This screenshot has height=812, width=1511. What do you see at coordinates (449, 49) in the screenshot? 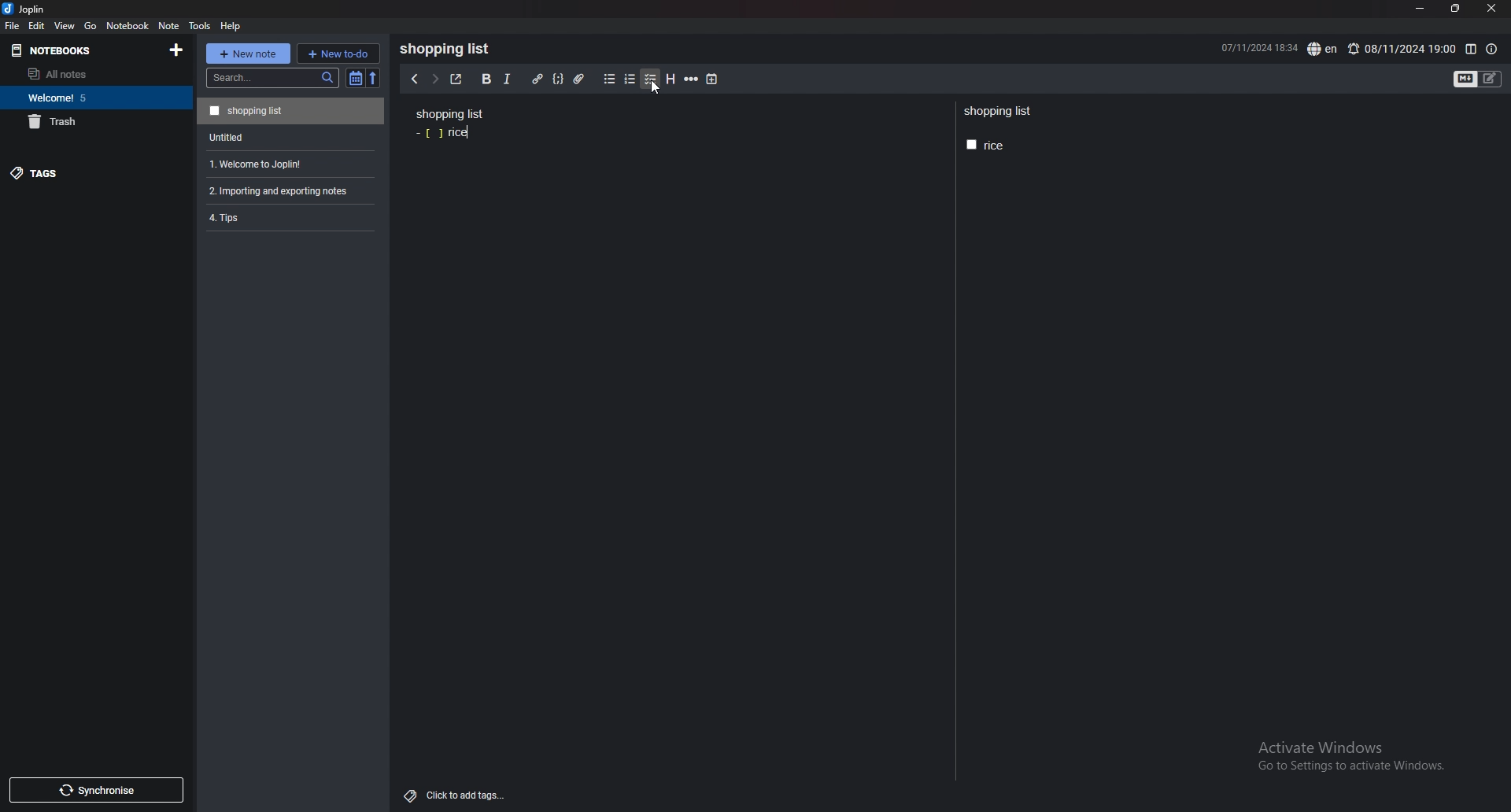
I see `Shopping list` at bounding box center [449, 49].